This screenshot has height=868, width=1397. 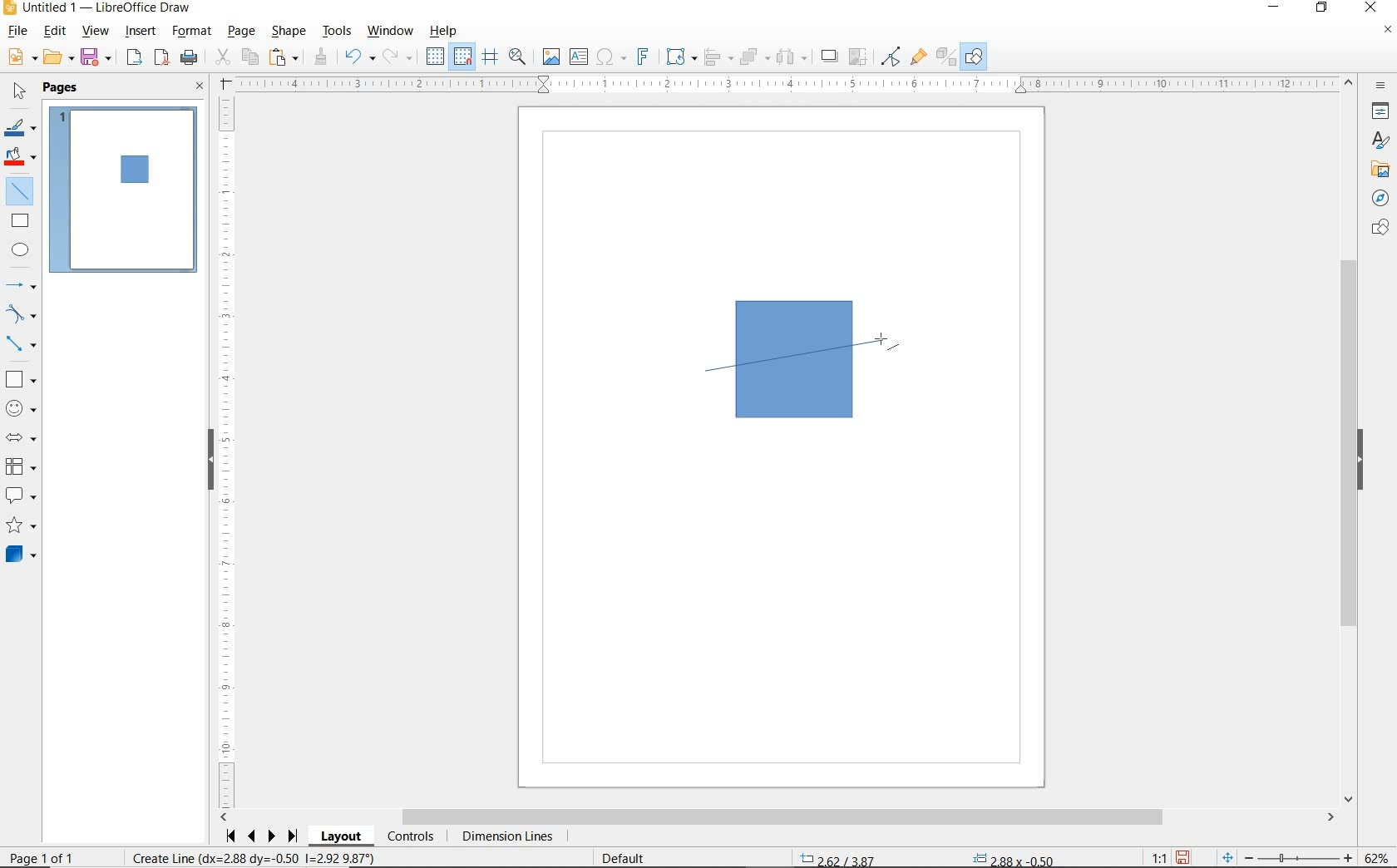 I want to click on INSERT TEXT BOX, so click(x=578, y=57).